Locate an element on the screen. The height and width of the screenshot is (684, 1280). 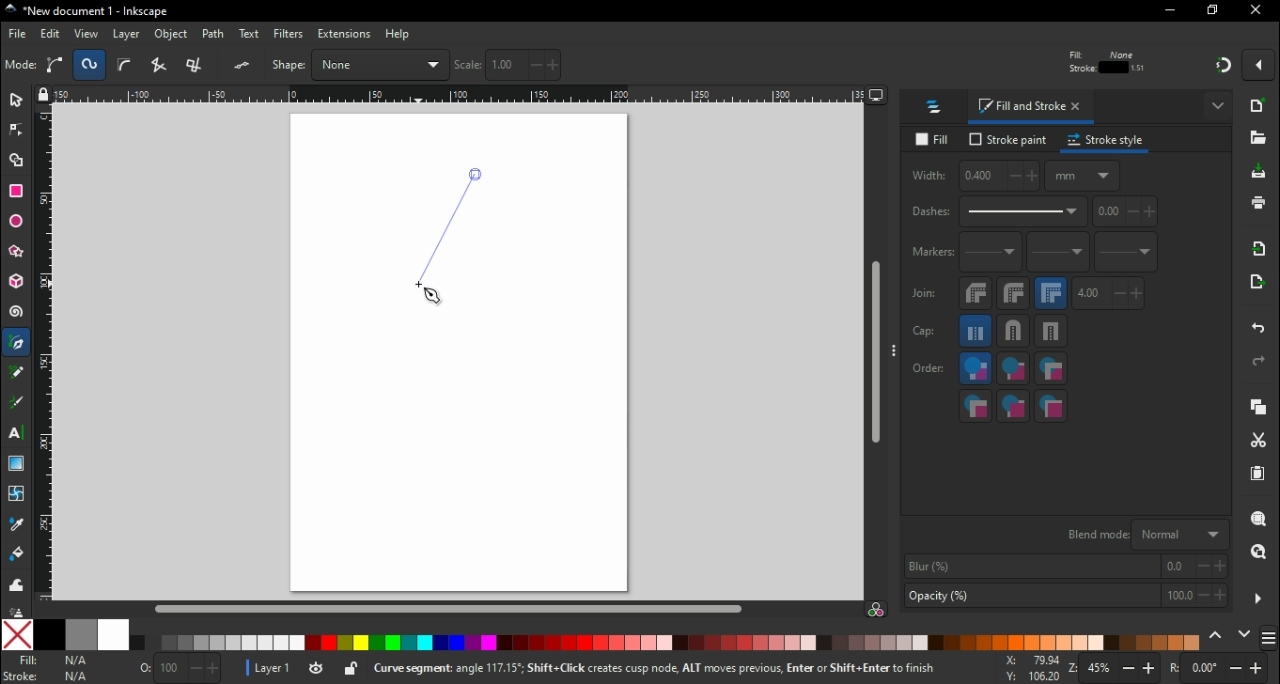
ellipse/arc tool is located at coordinates (17, 223).